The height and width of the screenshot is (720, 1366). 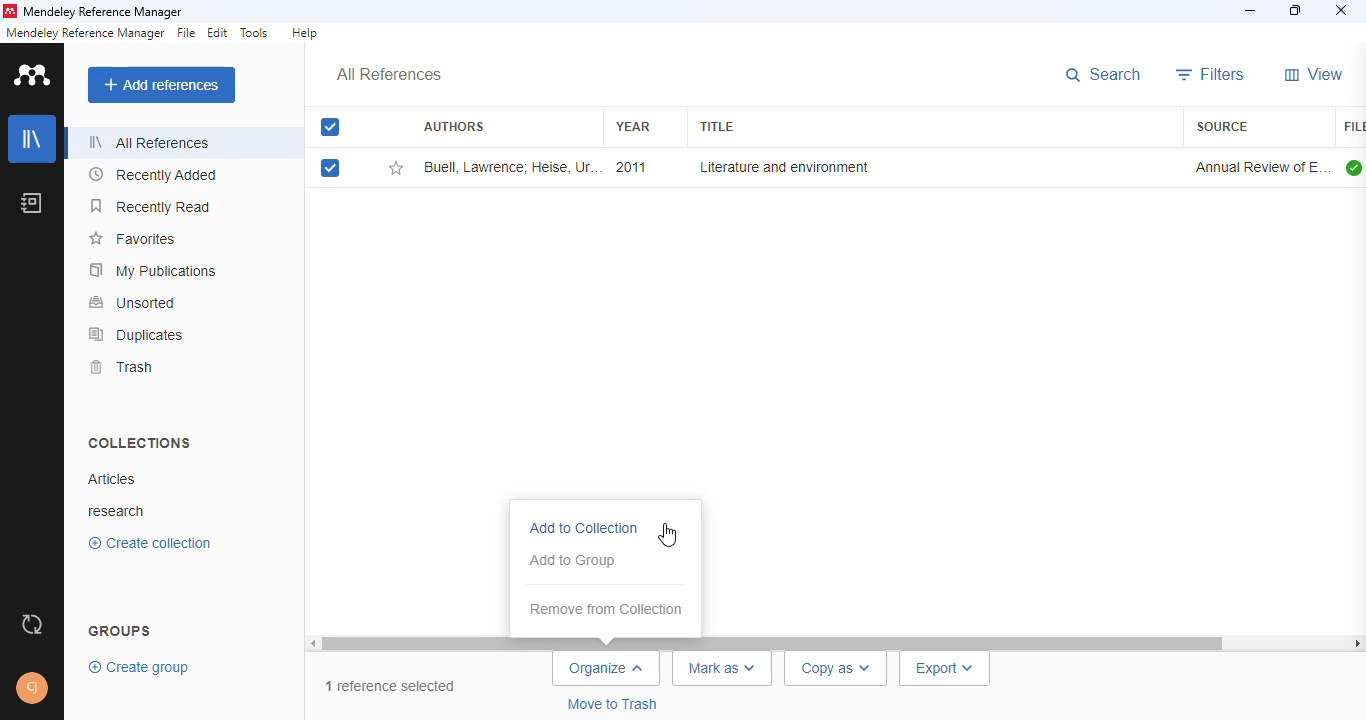 What do you see at coordinates (396, 168) in the screenshot?
I see `add this reference to favorites` at bounding box center [396, 168].